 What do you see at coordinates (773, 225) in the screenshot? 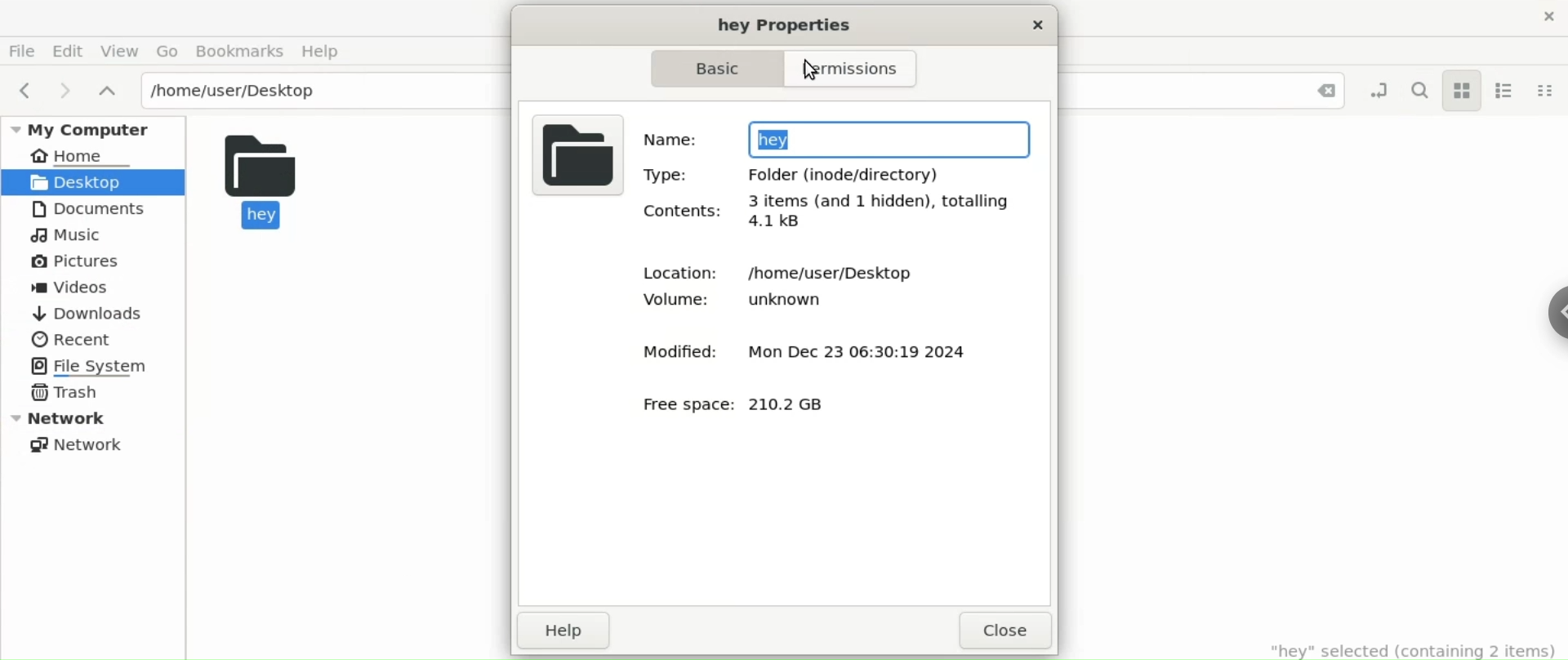
I see `4.1 kB` at bounding box center [773, 225].